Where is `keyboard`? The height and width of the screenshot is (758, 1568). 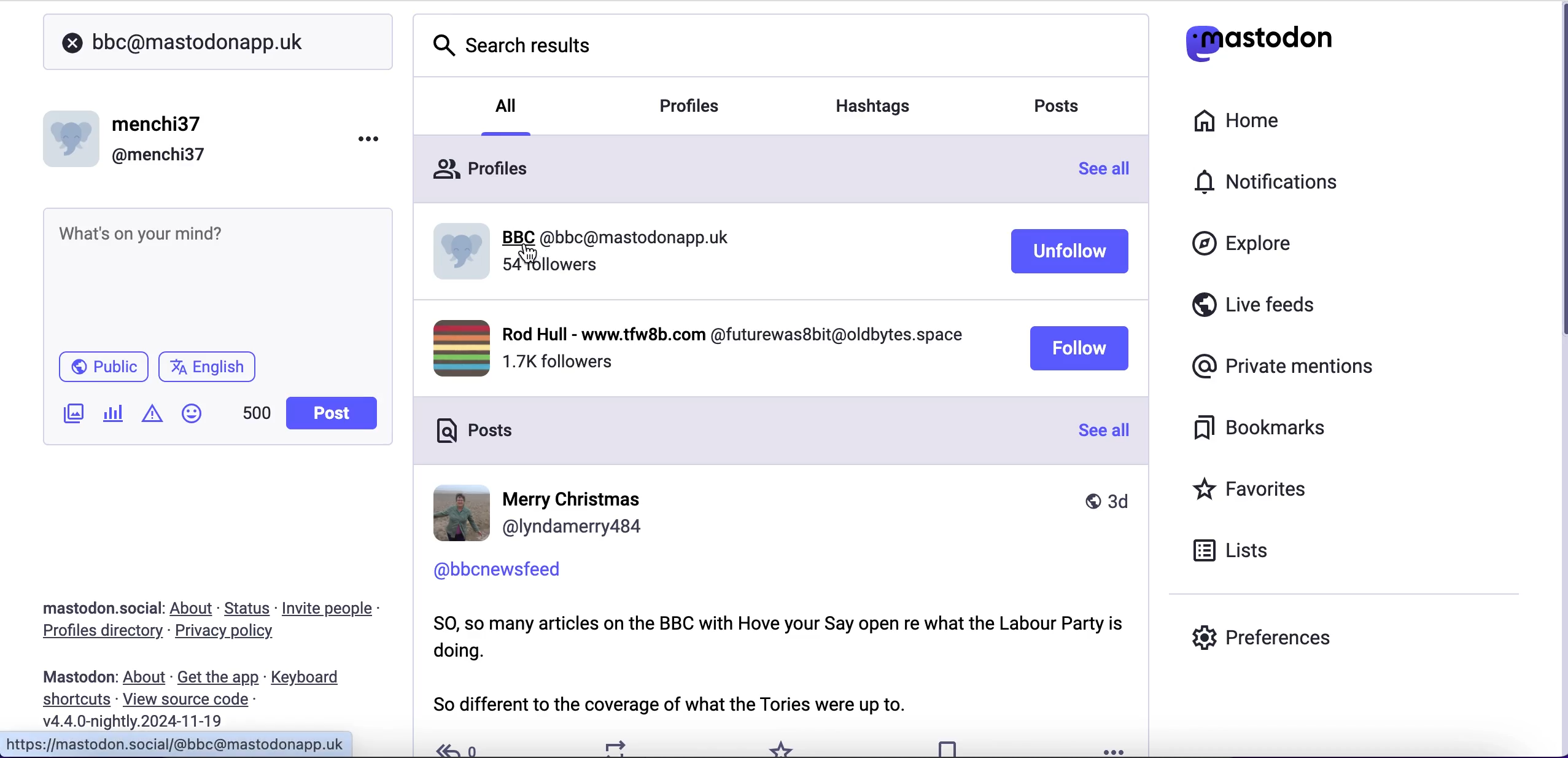
keyboard is located at coordinates (309, 679).